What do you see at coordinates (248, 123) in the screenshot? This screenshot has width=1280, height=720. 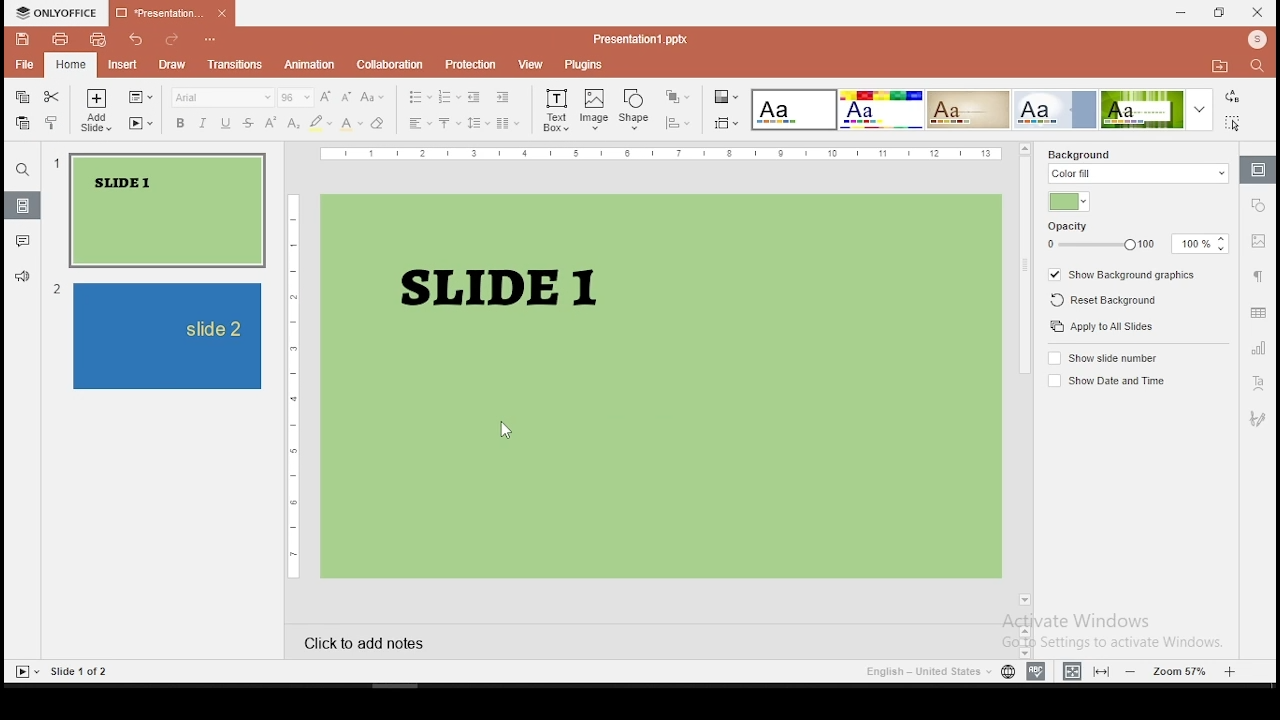 I see `strikethrough` at bounding box center [248, 123].